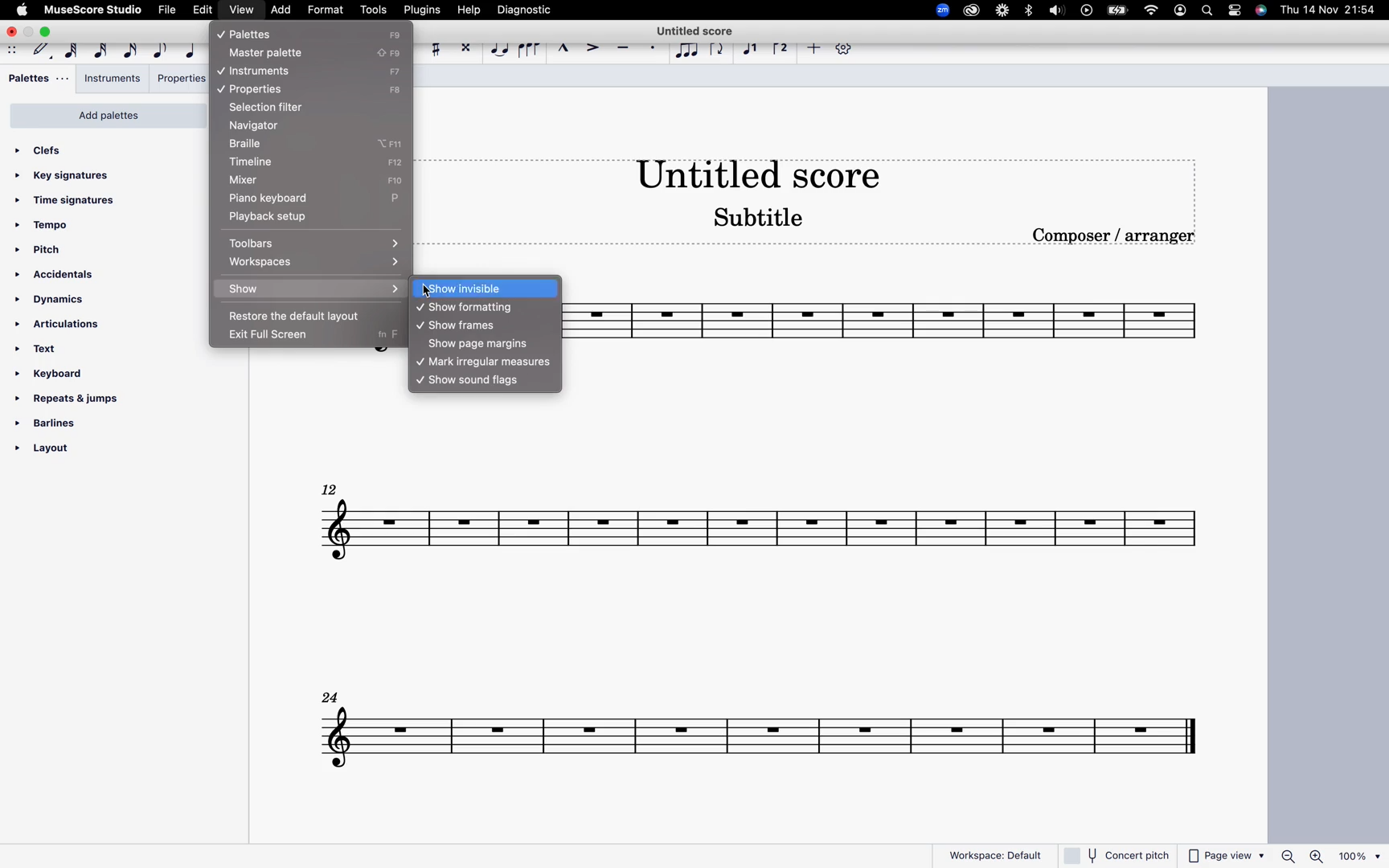 This screenshot has width=1389, height=868. What do you see at coordinates (68, 202) in the screenshot?
I see `time signatures` at bounding box center [68, 202].